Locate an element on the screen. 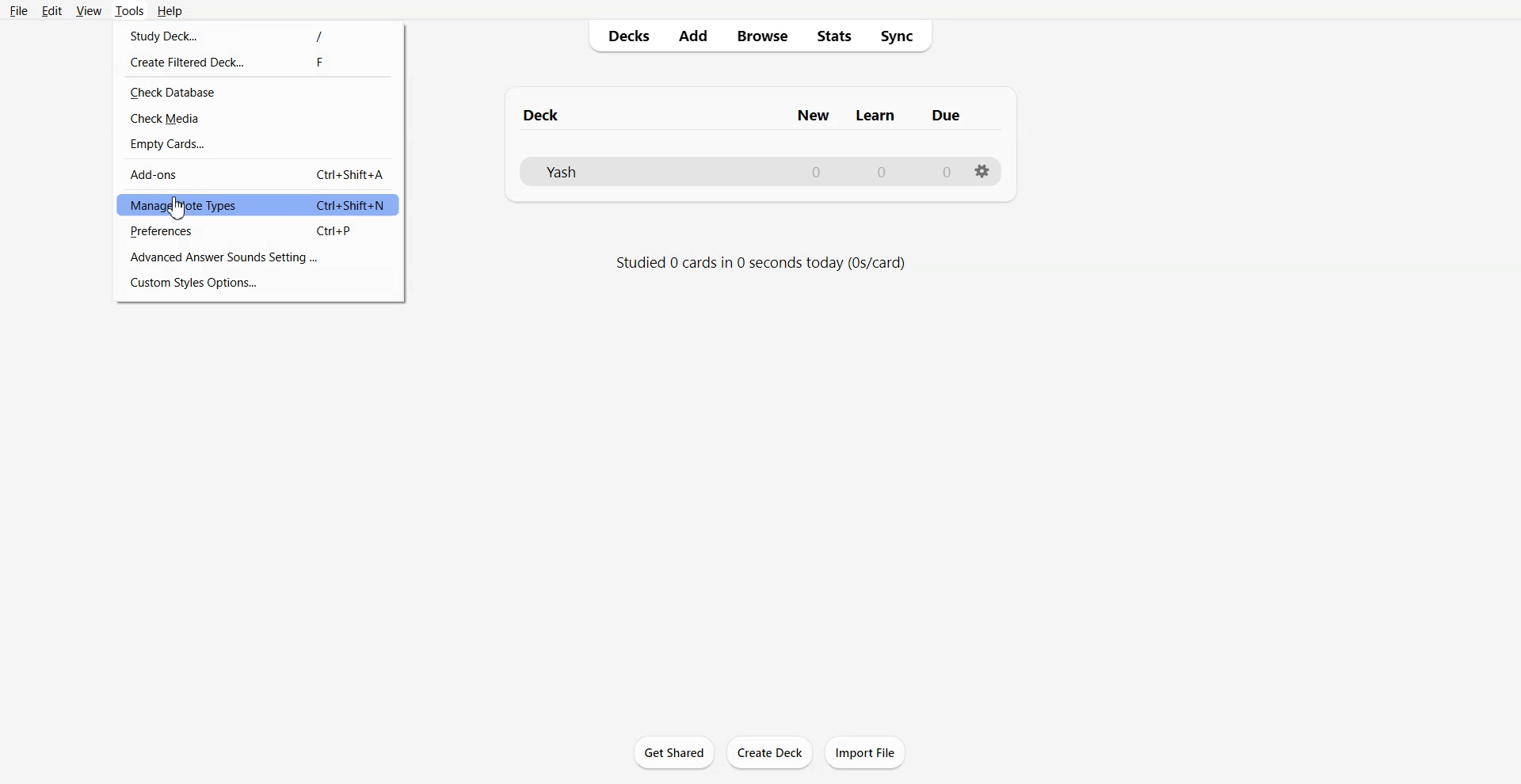 The width and height of the screenshot is (1521, 784). Advance Answer Sounds Settings is located at coordinates (253, 257).